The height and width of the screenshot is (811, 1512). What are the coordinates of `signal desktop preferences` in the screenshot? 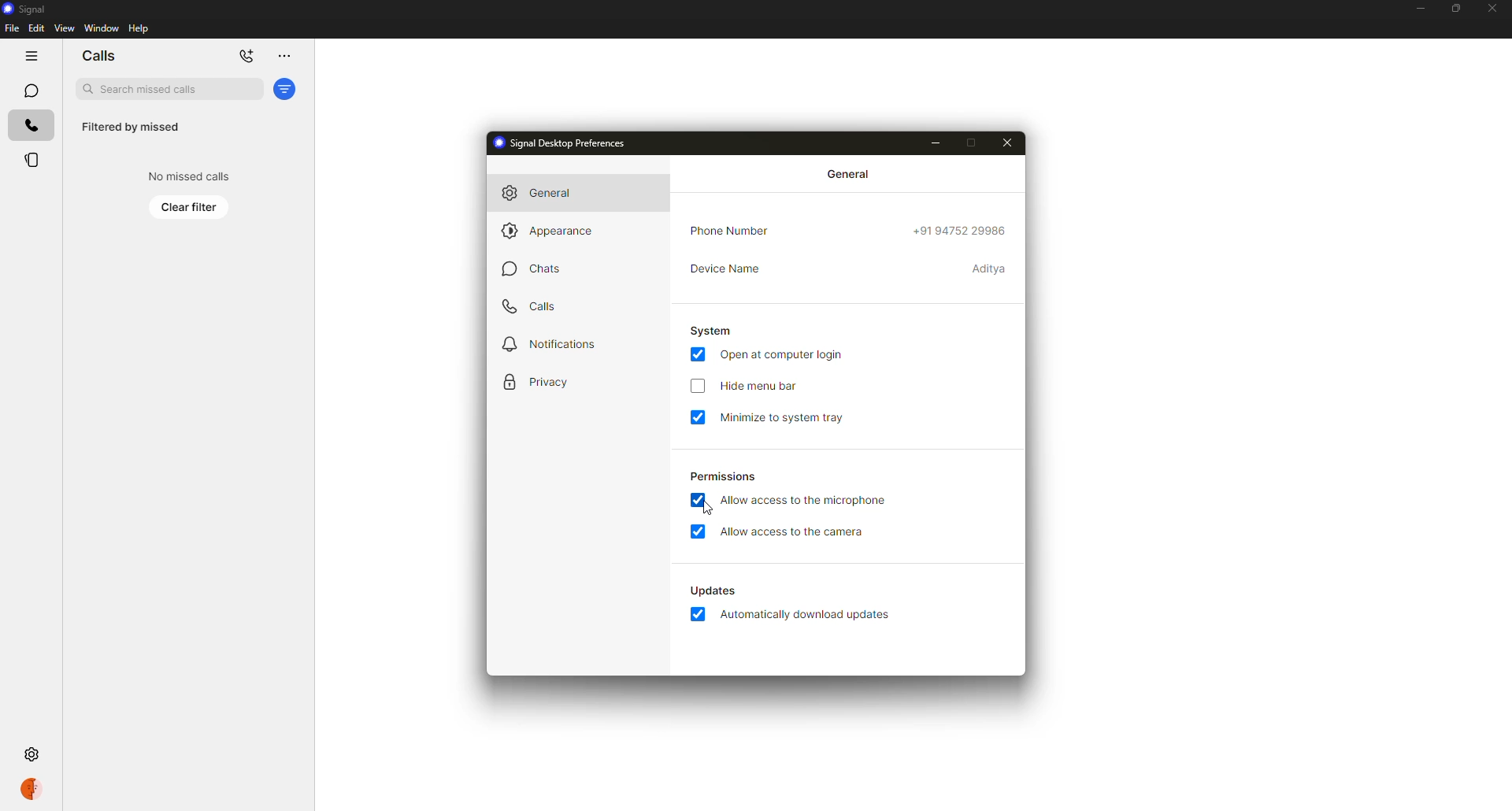 It's located at (568, 143).